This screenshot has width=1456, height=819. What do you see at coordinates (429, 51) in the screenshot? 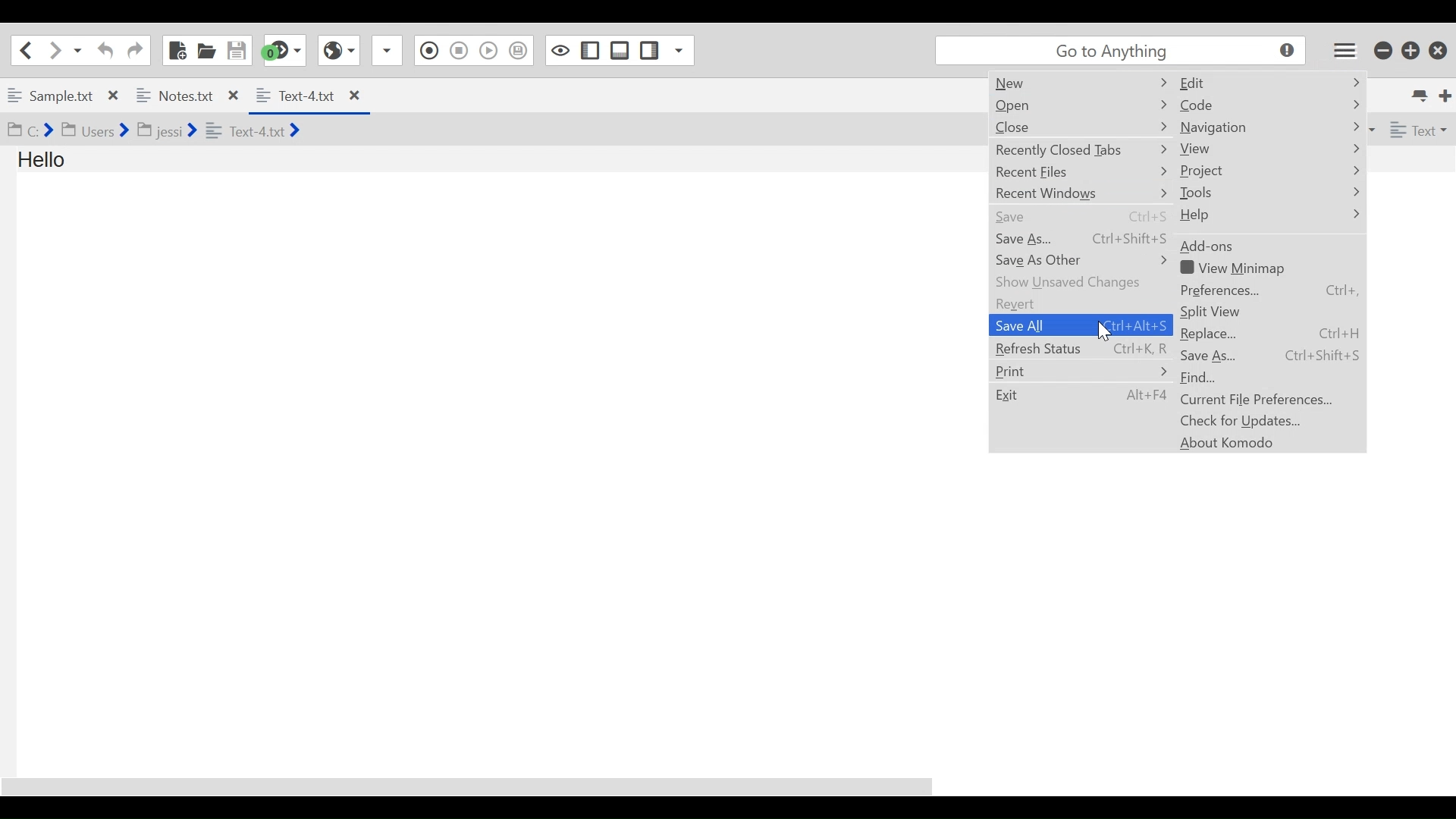
I see `Recording in Macro` at bounding box center [429, 51].